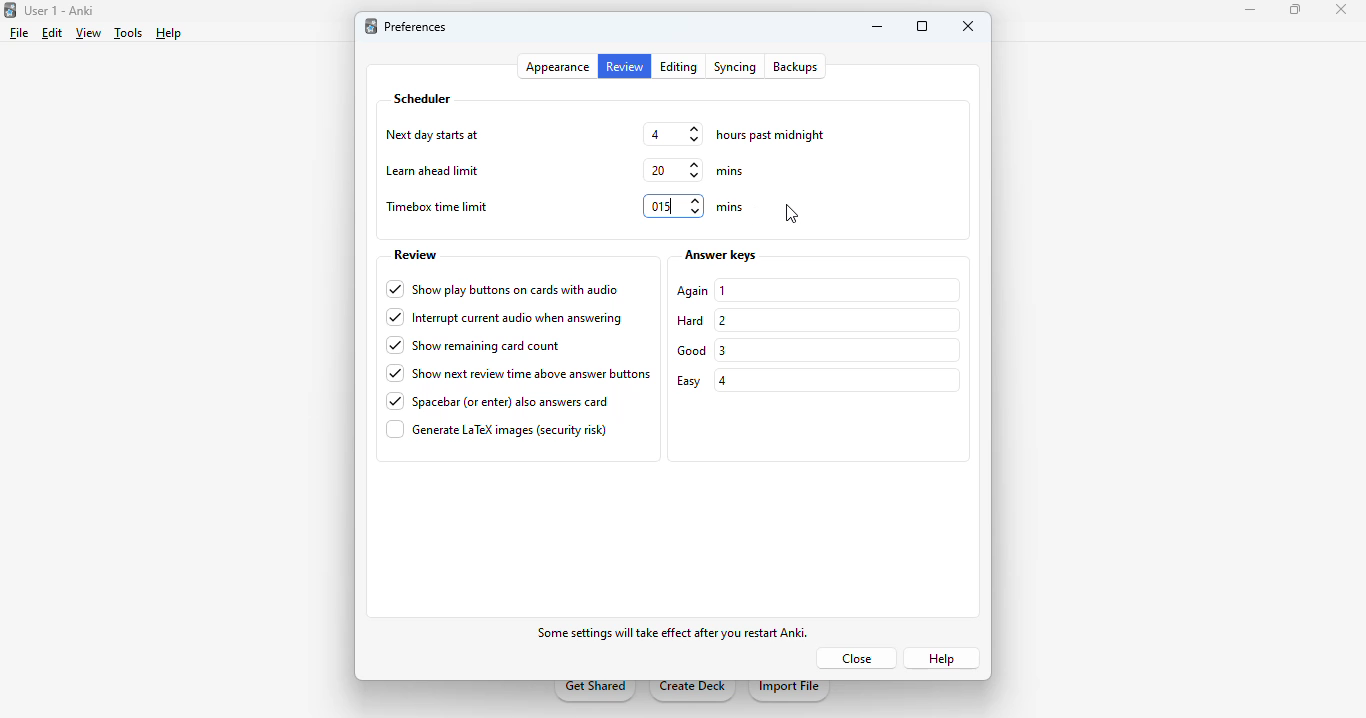  Describe the element at coordinates (498, 402) in the screenshot. I see `spacebar (or enter) also answers card` at that location.